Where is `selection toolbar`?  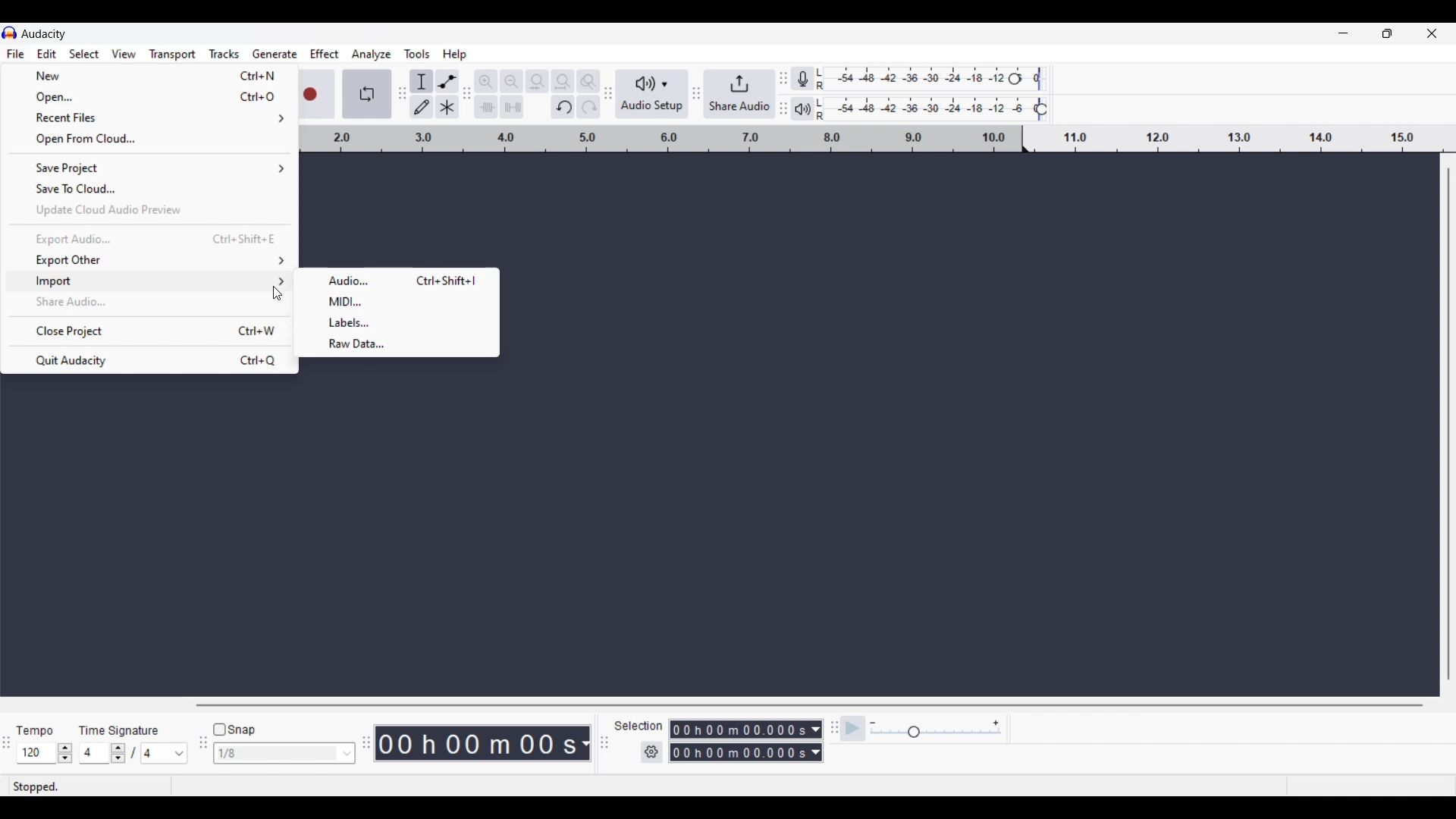
selection toolbar is located at coordinates (601, 743).